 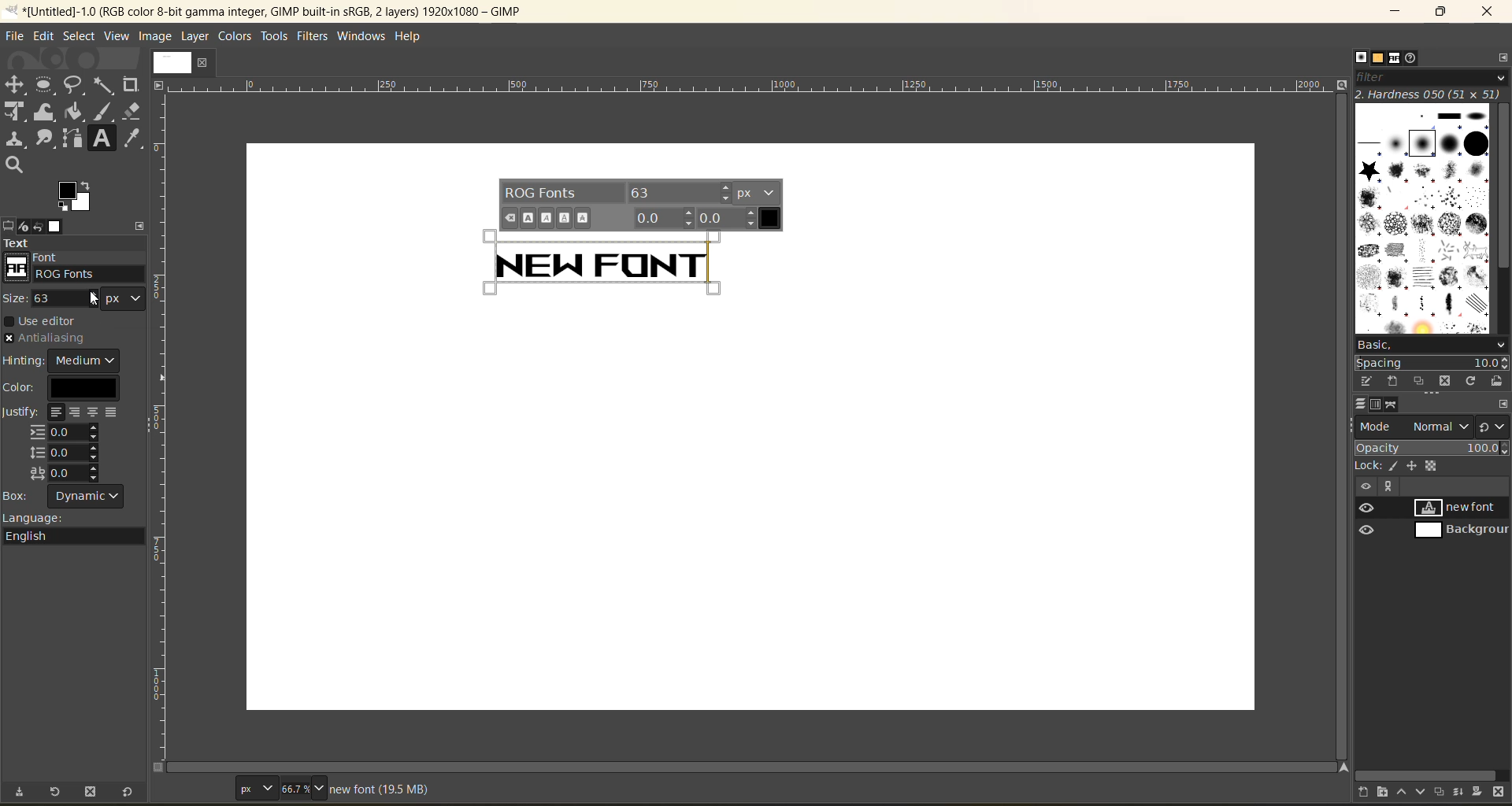 What do you see at coordinates (1502, 188) in the screenshot?
I see `vertical scroll bar` at bounding box center [1502, 188].